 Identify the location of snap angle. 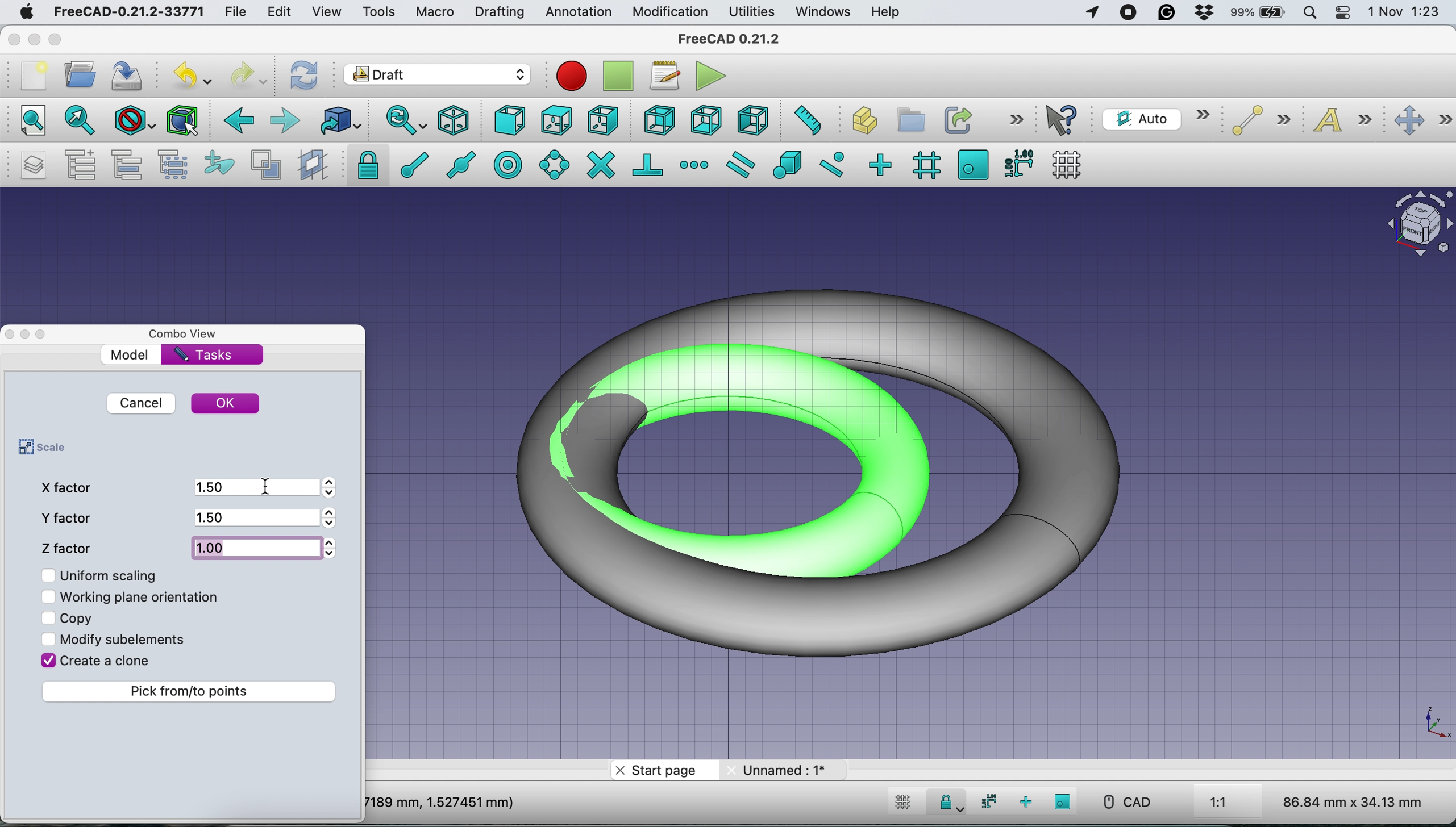
(555, 164).